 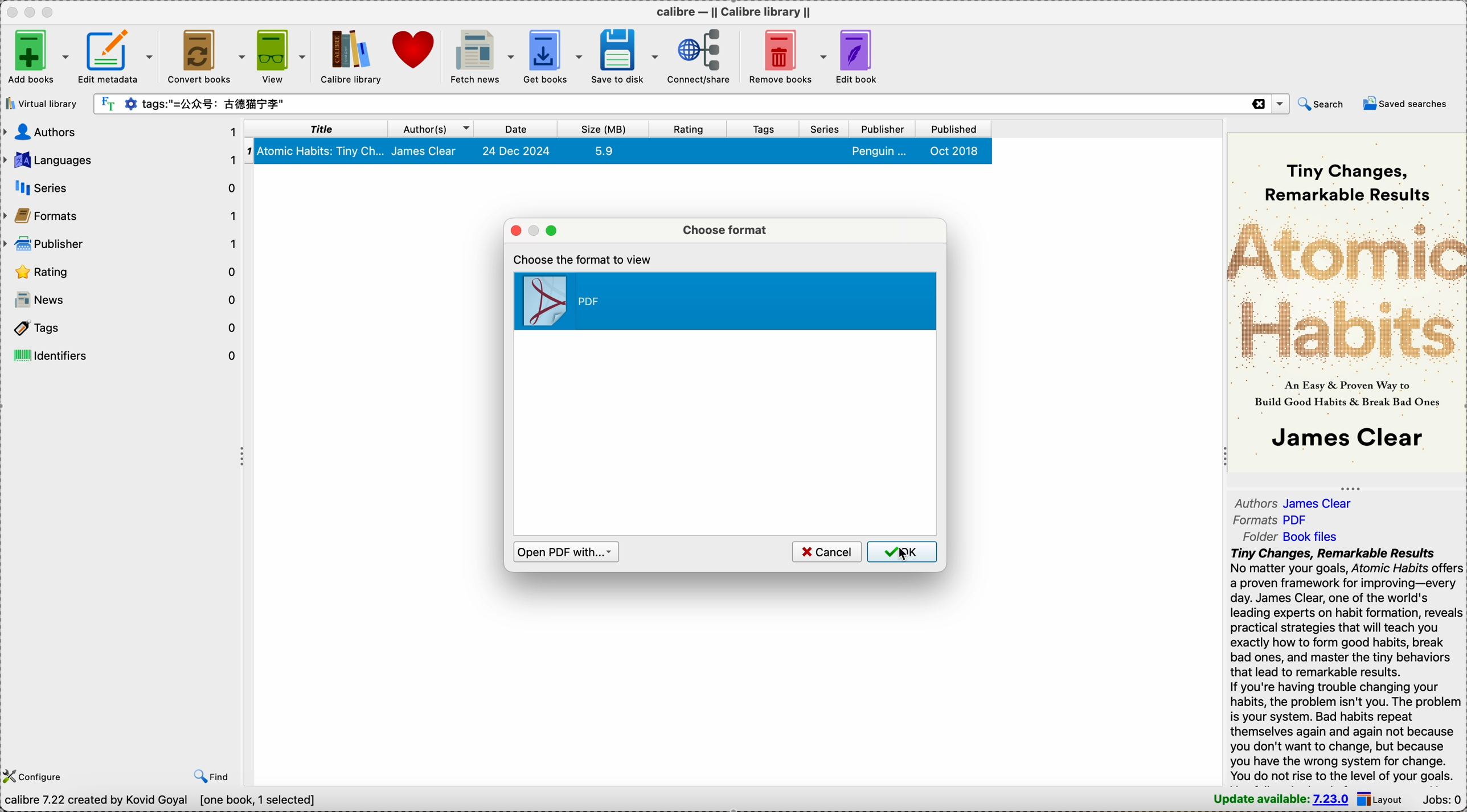 I want to click on authors, so click(x=121, y=133).